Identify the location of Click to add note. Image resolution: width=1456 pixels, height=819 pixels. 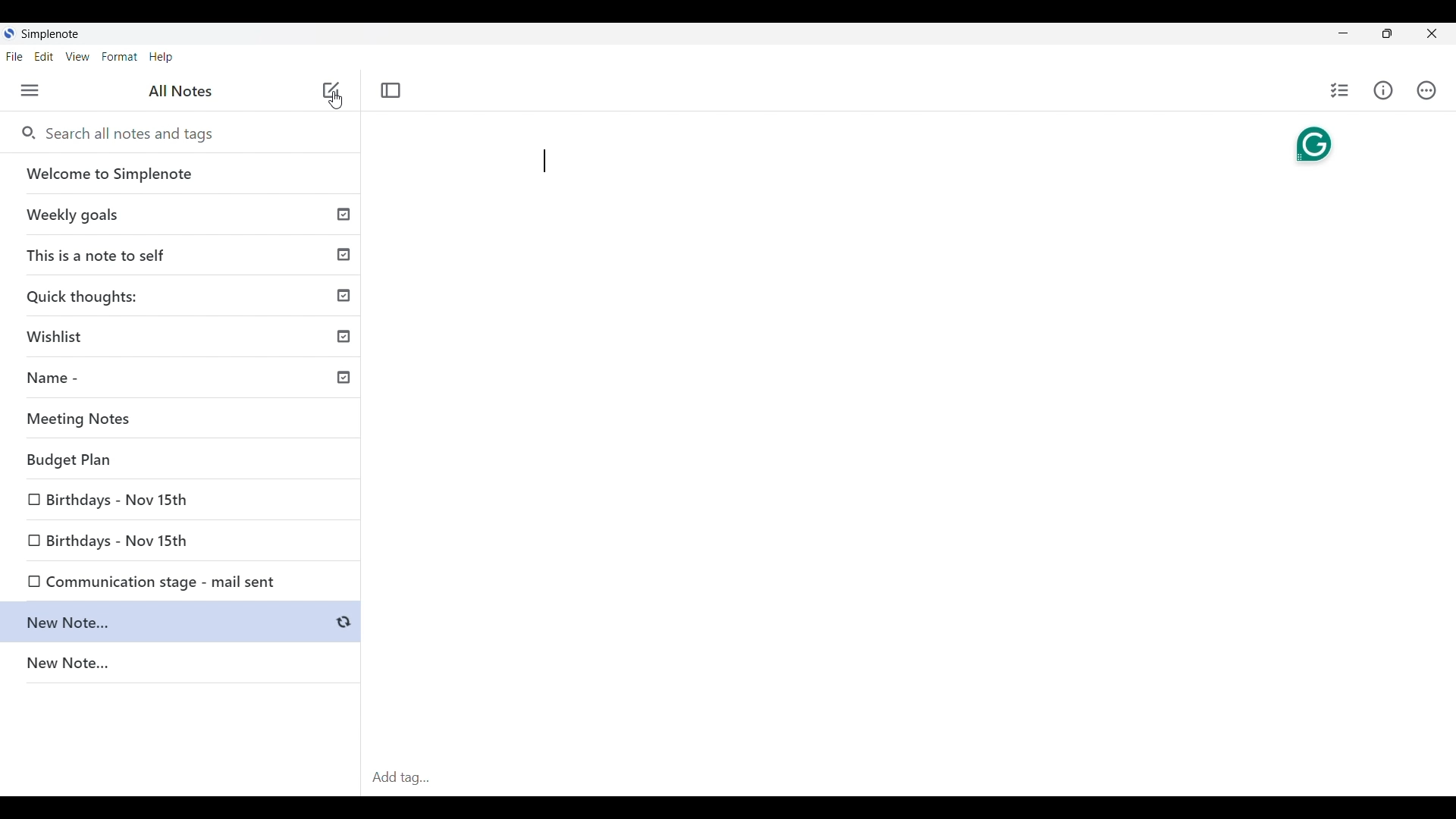
(332, 89).